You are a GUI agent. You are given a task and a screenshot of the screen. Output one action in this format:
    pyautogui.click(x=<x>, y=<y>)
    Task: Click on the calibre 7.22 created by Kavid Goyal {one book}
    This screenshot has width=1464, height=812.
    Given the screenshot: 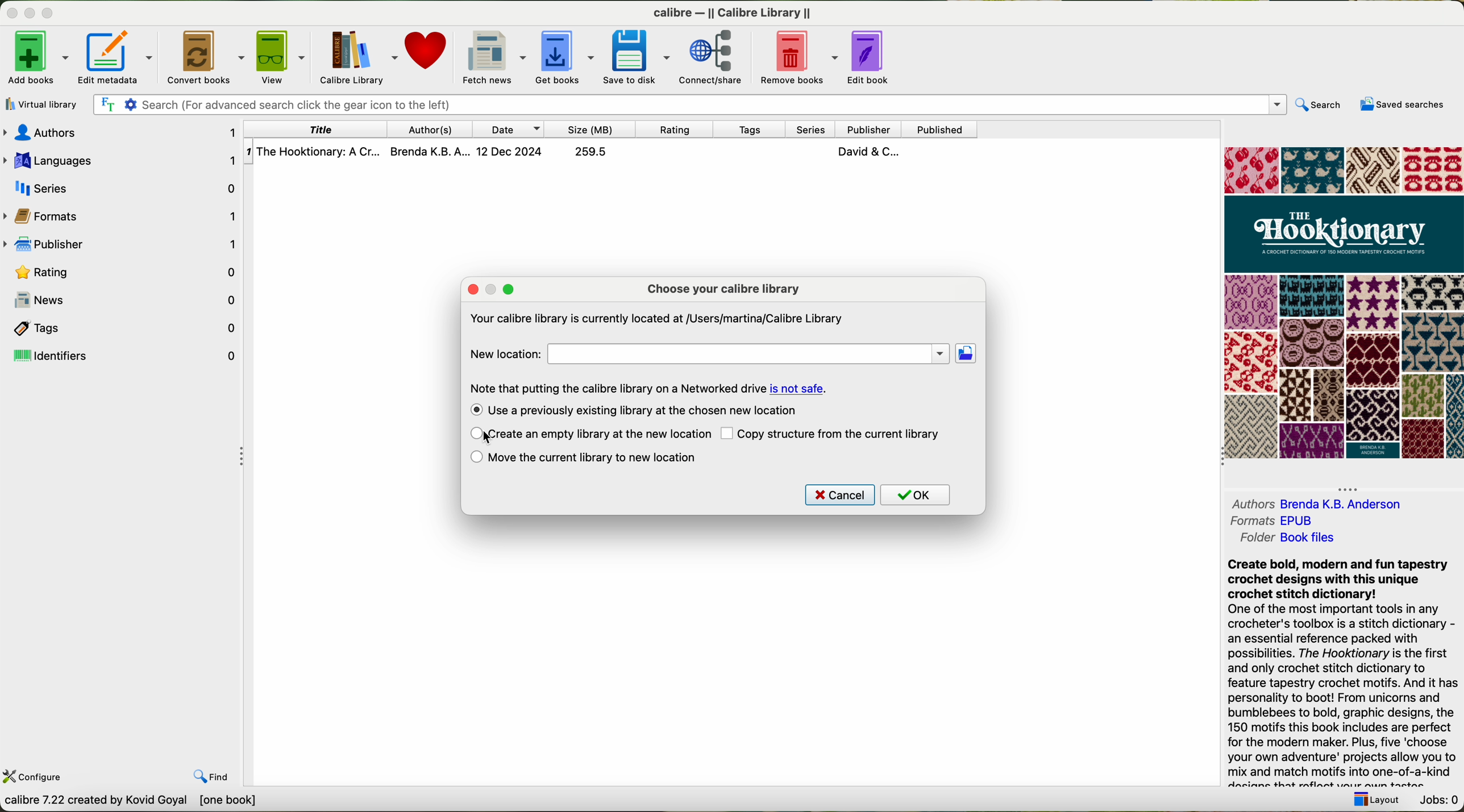 What is the action you would take?
    pyautogui.click(x=163, y=802)
    